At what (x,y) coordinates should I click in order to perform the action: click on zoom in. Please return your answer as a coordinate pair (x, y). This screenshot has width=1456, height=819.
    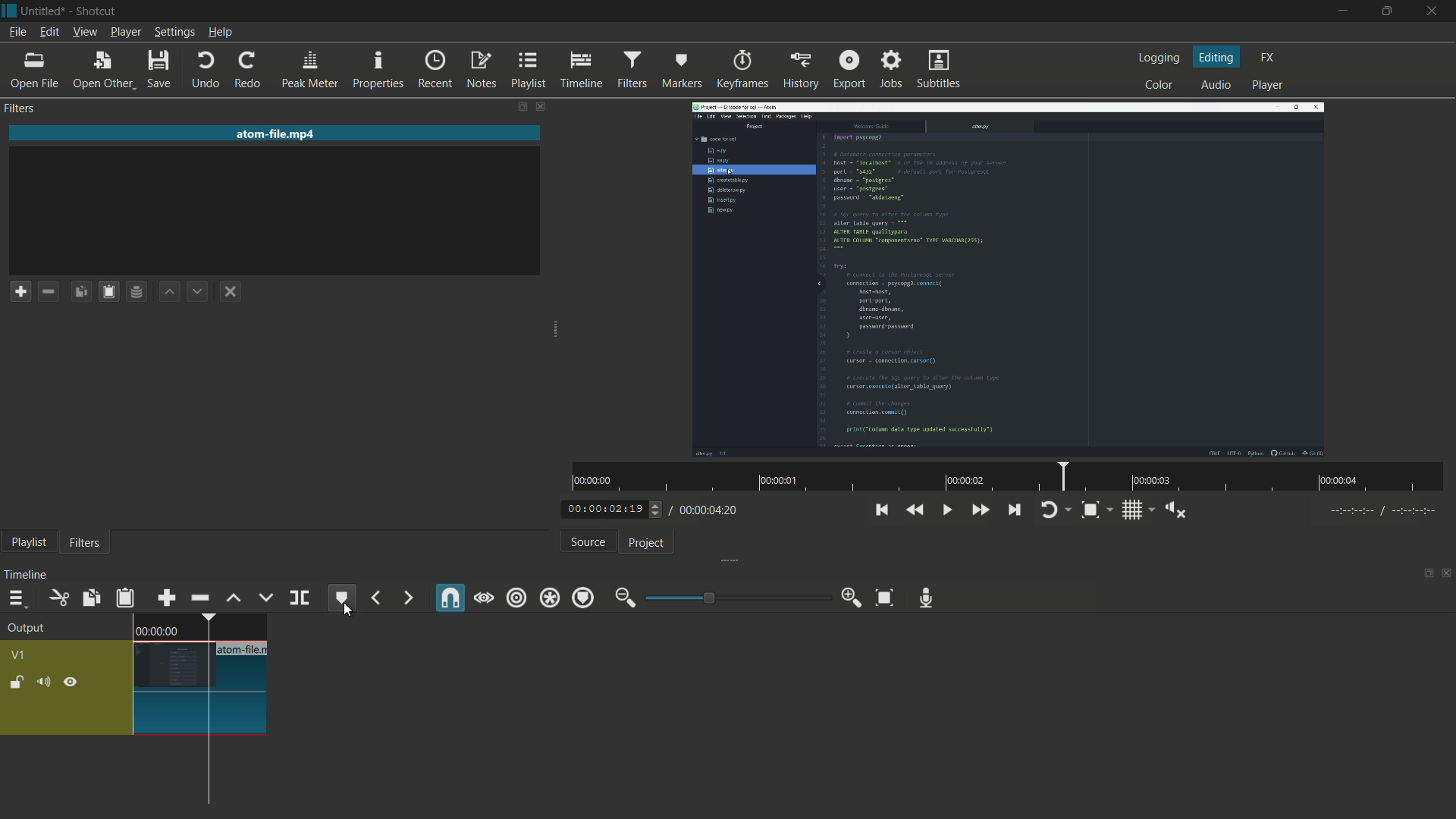
    Looking at the image, I should click on (853, 599).